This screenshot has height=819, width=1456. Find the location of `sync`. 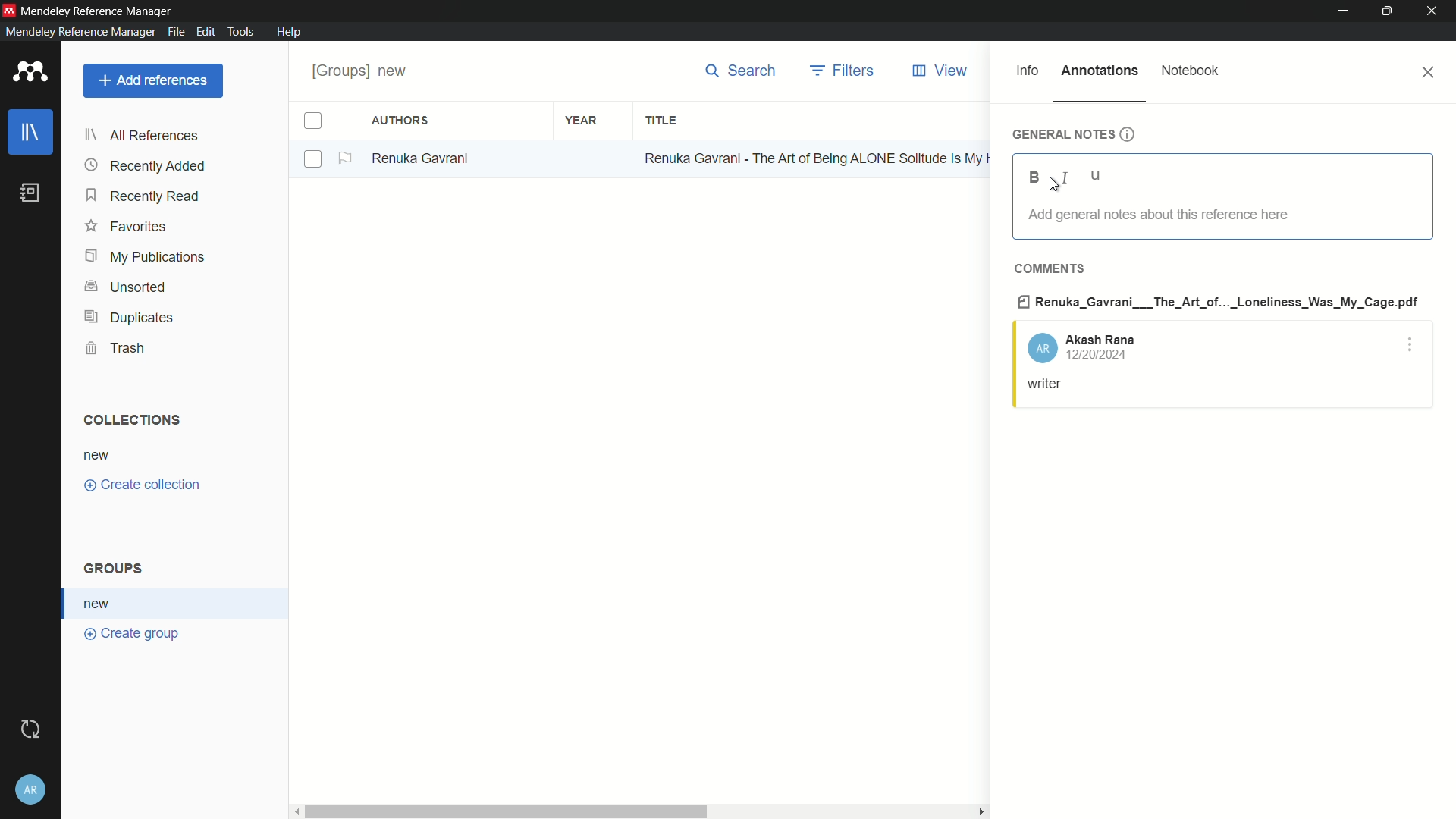

sync is located at coordinates (31, 728).